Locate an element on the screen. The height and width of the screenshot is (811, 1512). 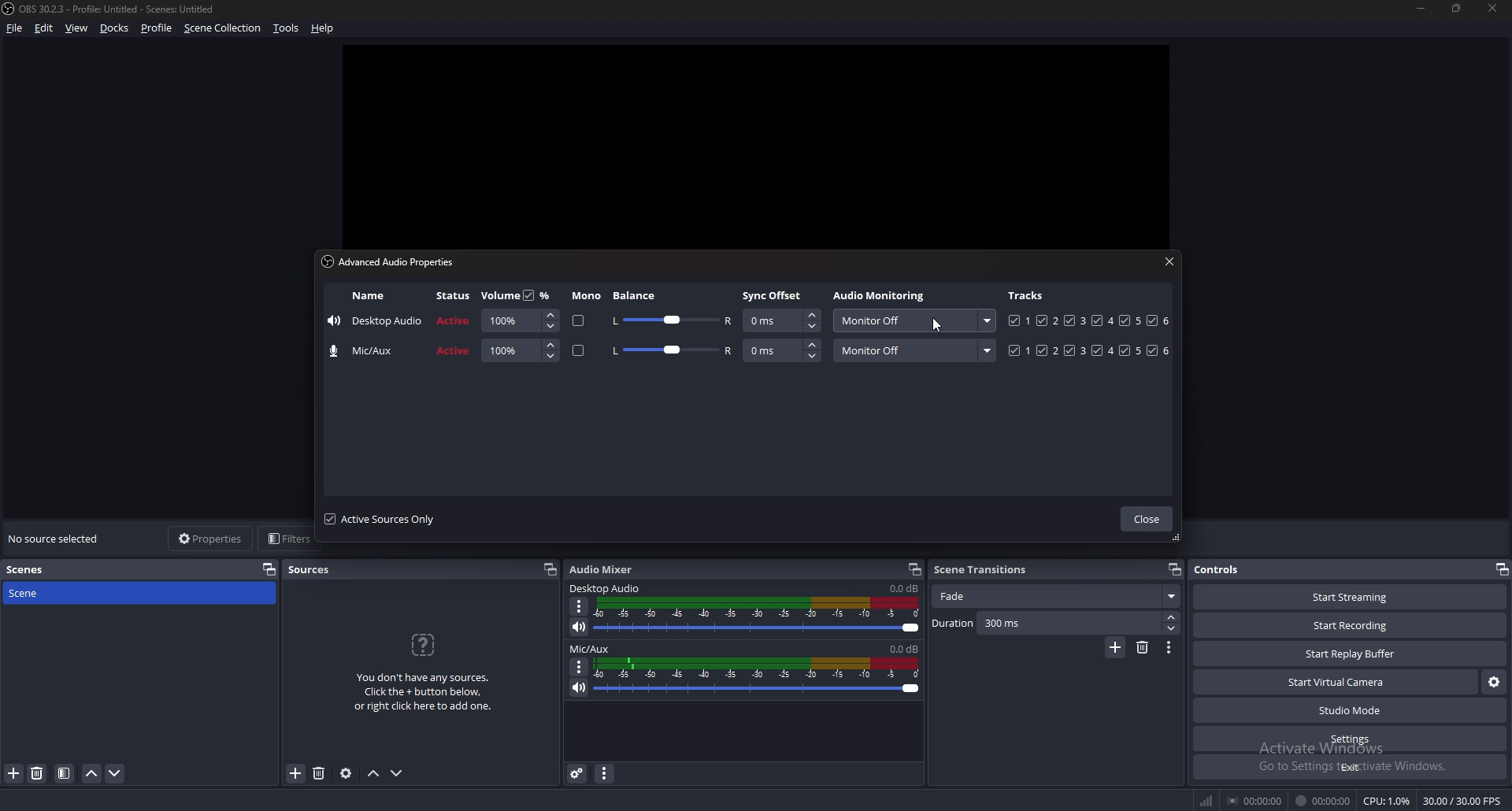
You don't have any sources.Click the + button below,or right click here to add one. is located at coordinates (423, 694).